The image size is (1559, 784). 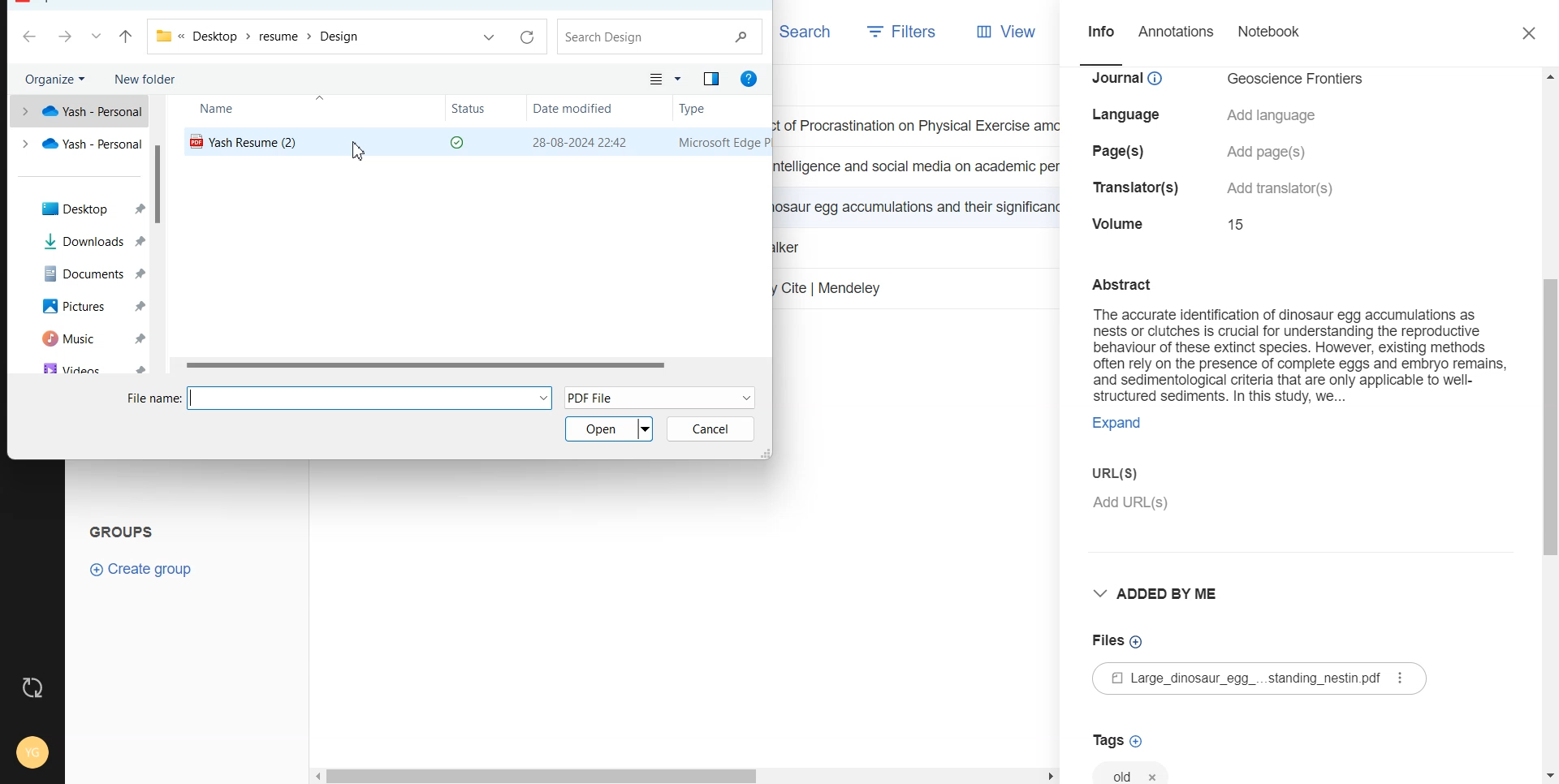 I want to click on One Drive, so click(x=73, y=112).